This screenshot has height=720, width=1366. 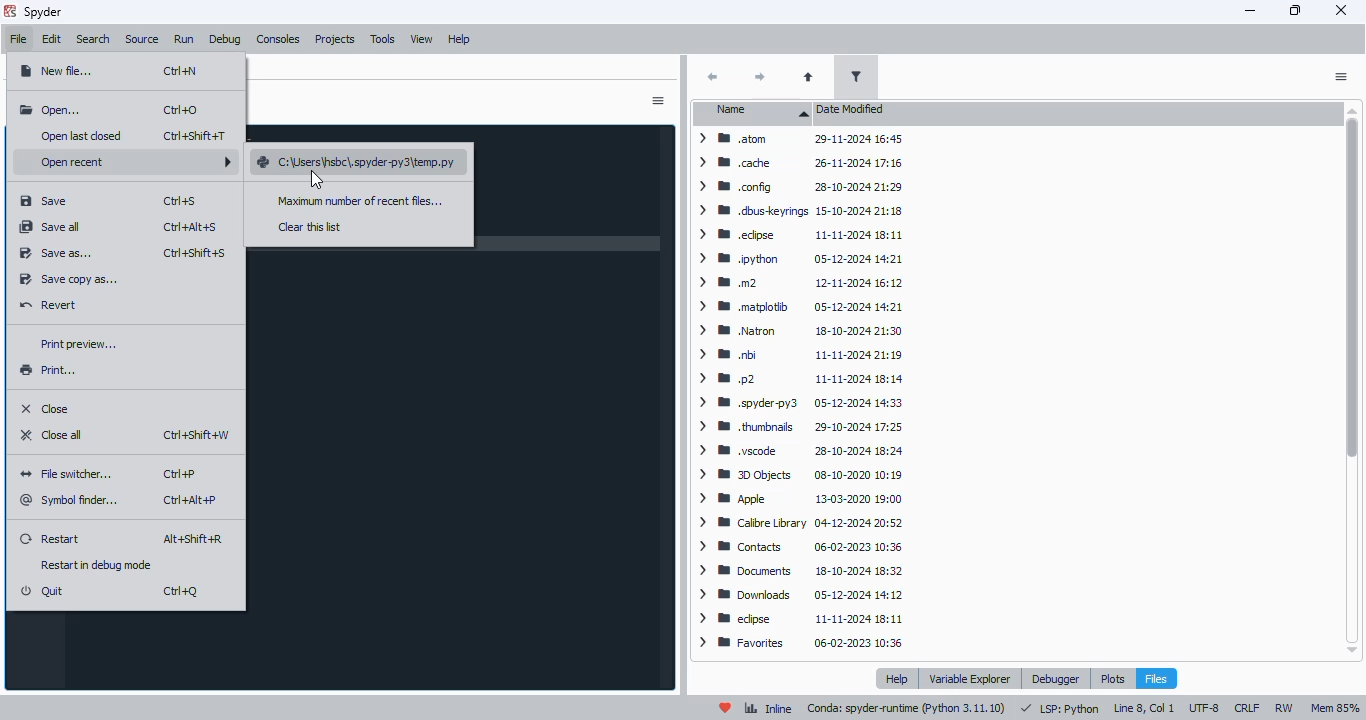 I want to click on view, so click(x=422, y=40).